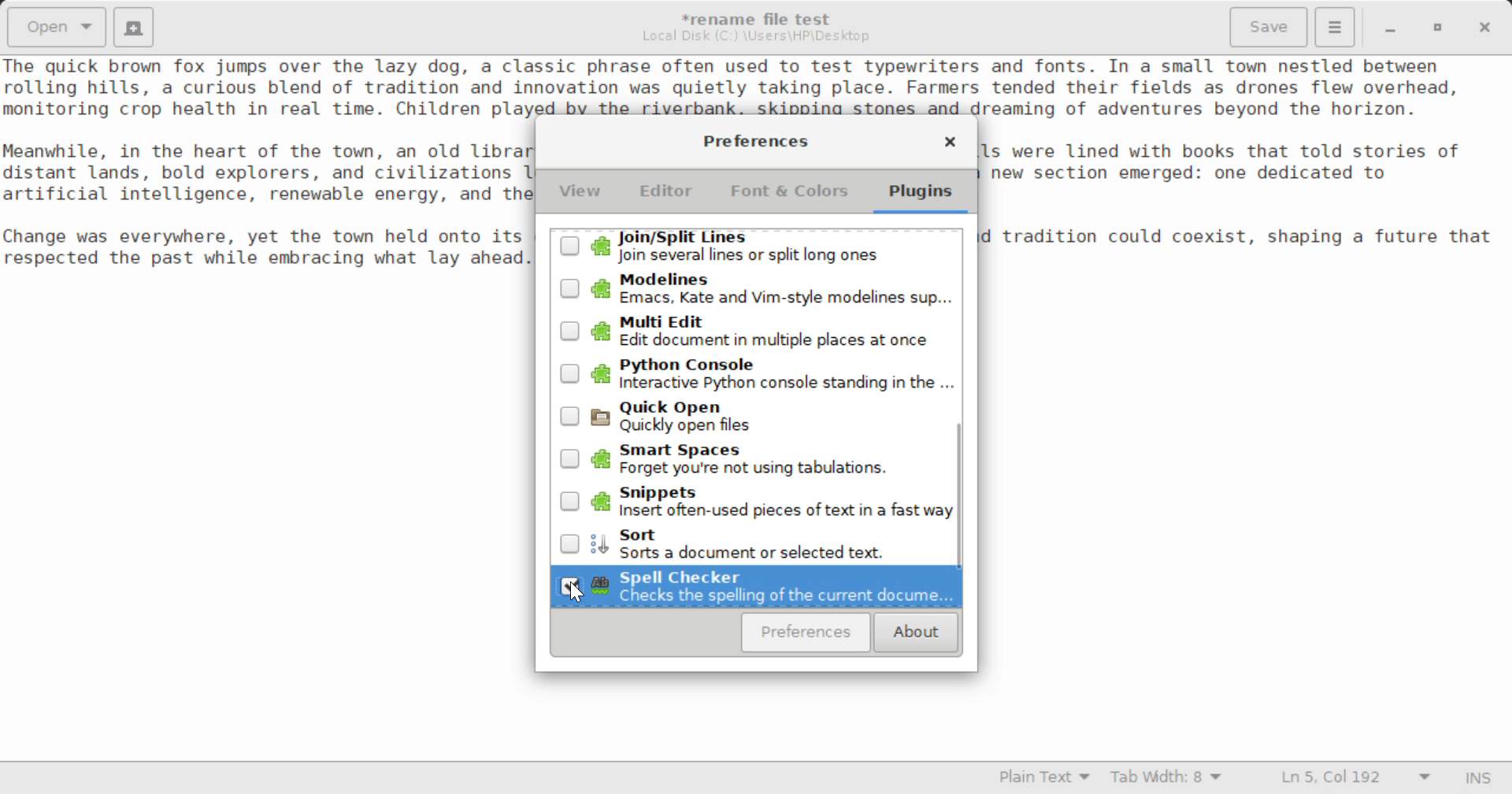 The width and height of the screenshot is (1512, 794). What do you see at coordinates (669, 195) in the screenshot?
I see `Editor Tab` at bounding box center [669, 195].